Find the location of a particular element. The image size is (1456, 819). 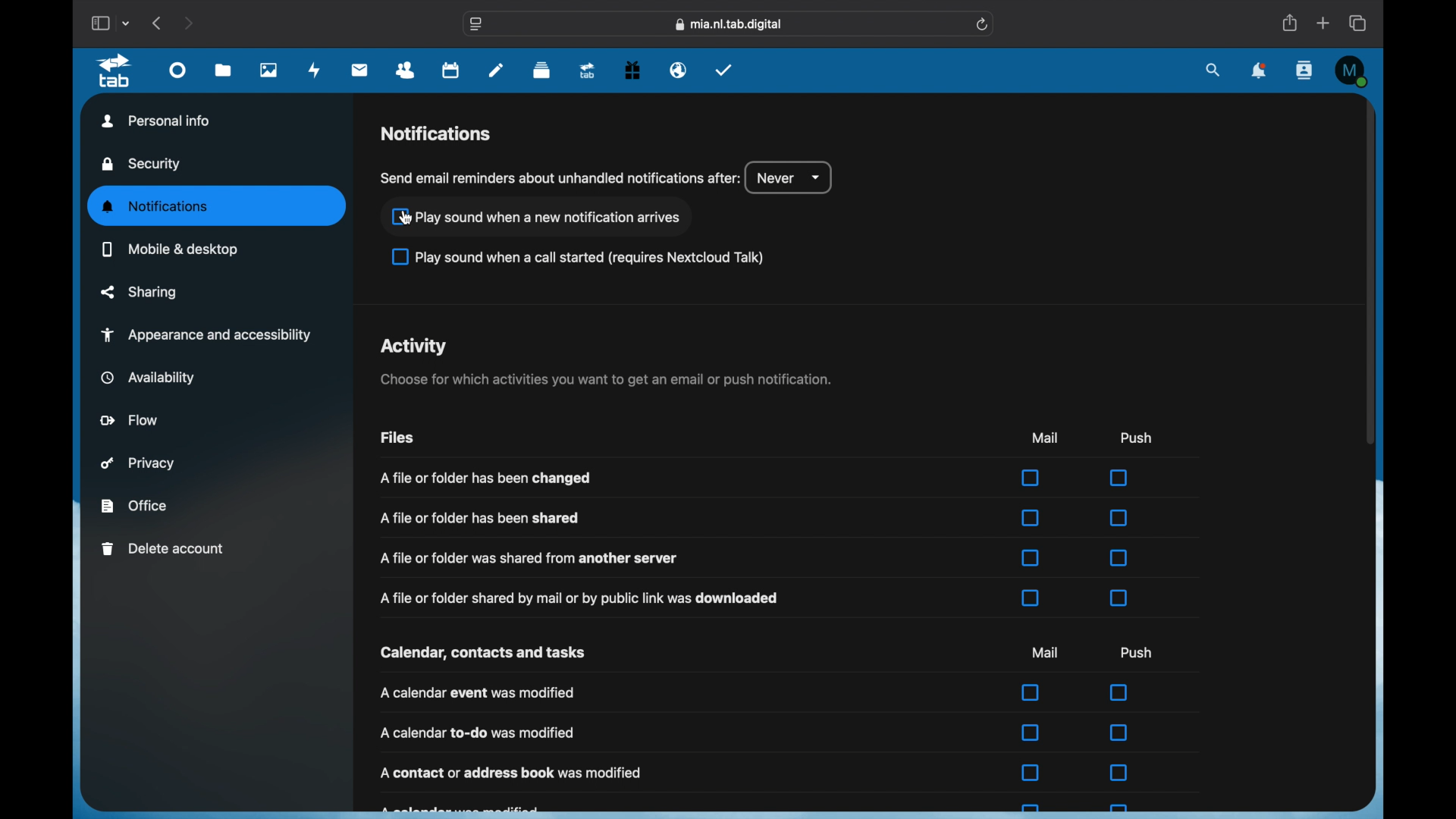

notifications is located at coordinates (155, 207).